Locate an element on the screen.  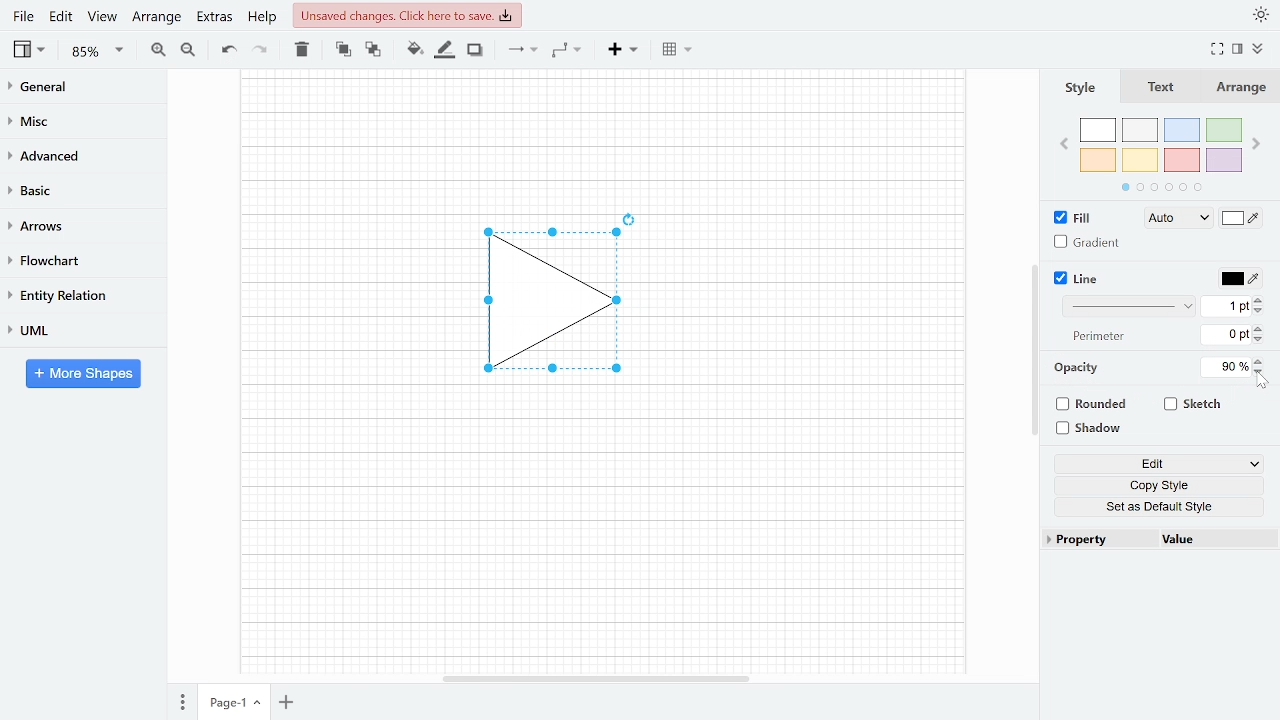
General is located at coordinates (76, 89).